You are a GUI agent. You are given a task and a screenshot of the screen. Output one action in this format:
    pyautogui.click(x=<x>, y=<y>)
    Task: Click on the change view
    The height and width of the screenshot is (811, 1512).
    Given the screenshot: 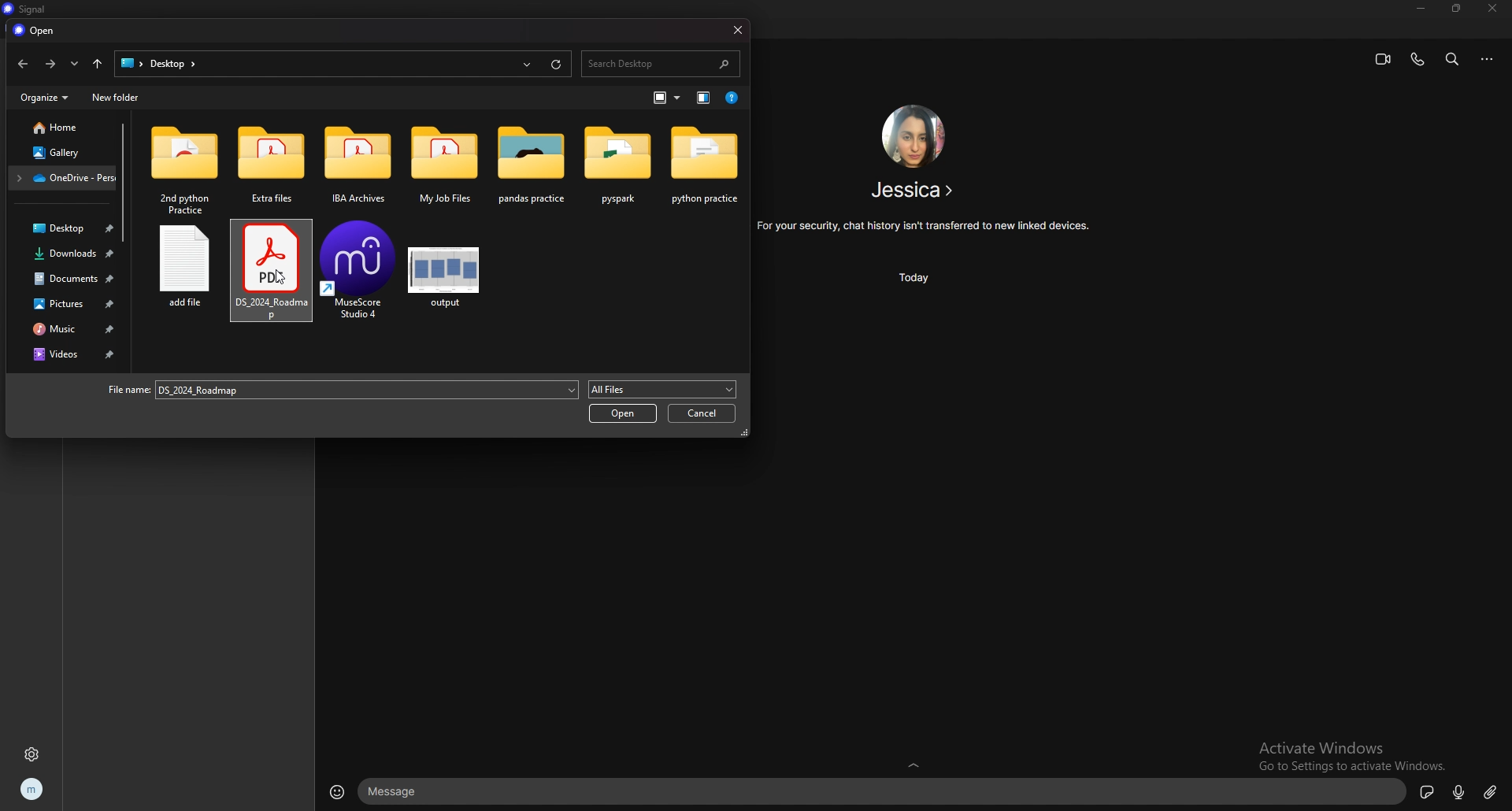 What is the action you would take?
    pyautogui.click(x=669, y=98)
    